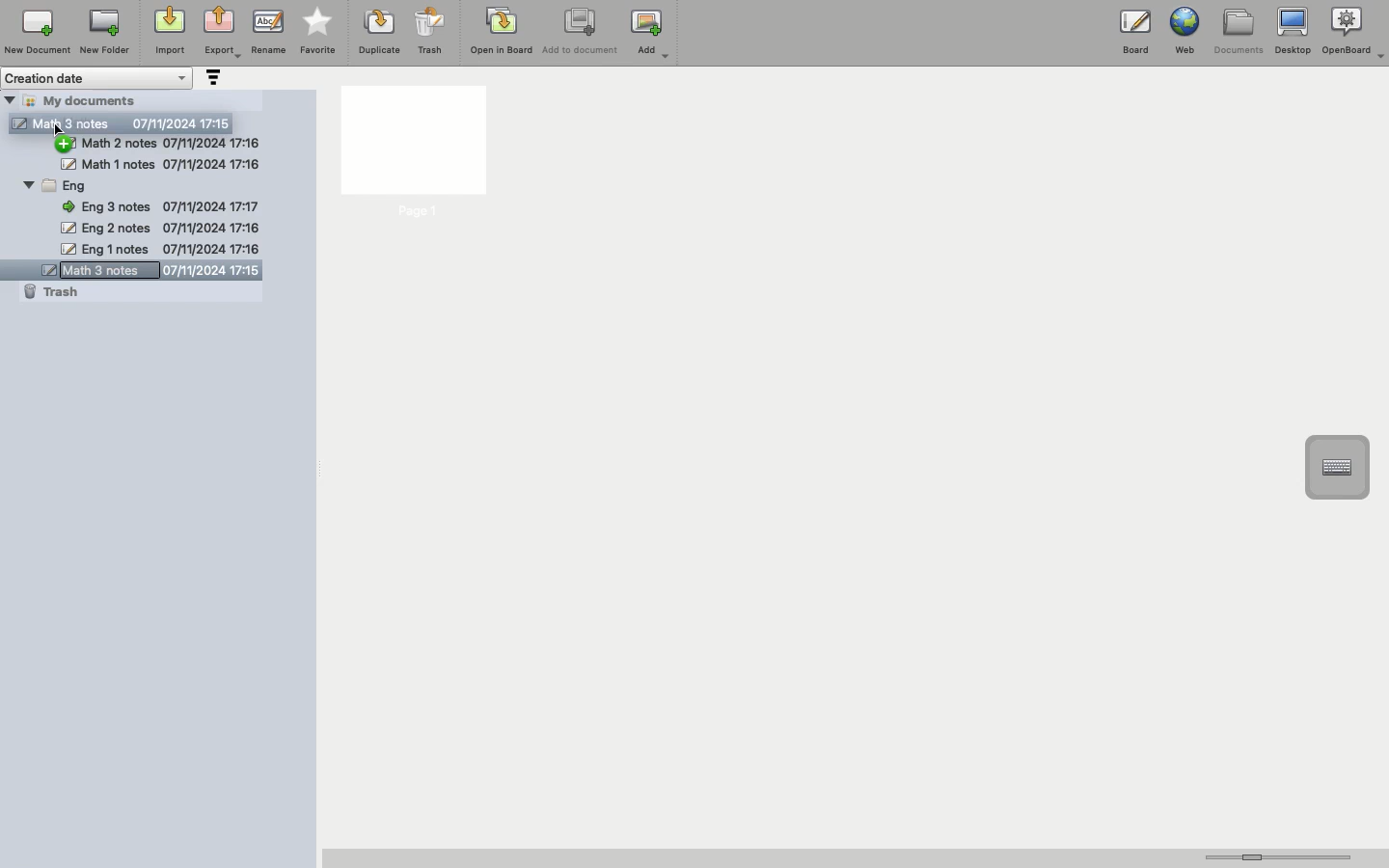  What do you see at coordinates (222, 34) in the screenshot?
I see `Export` at bounding box center [222, 34].